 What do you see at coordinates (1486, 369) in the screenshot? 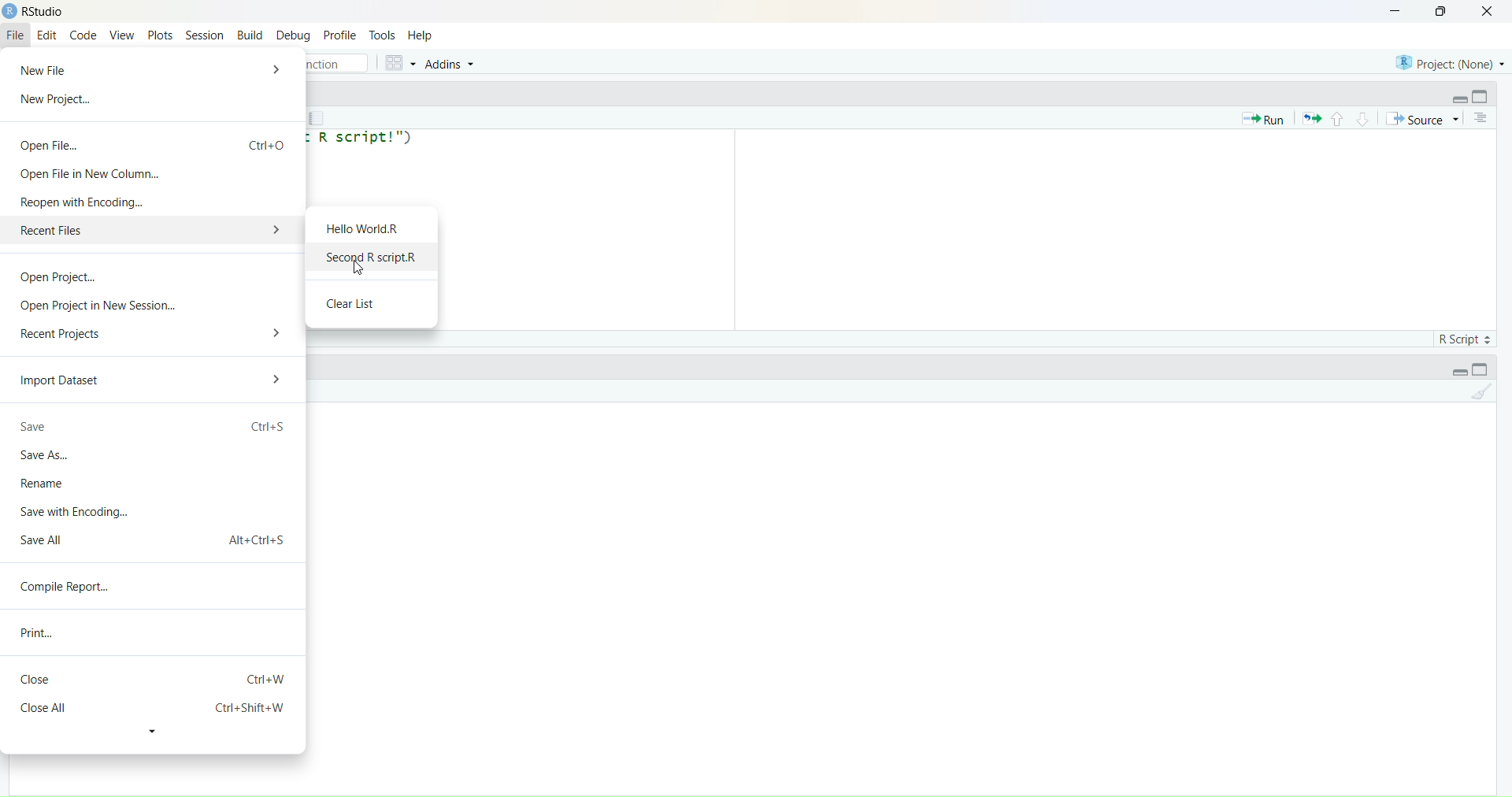
I see `Maximize` at bounding box center [1486, 369].